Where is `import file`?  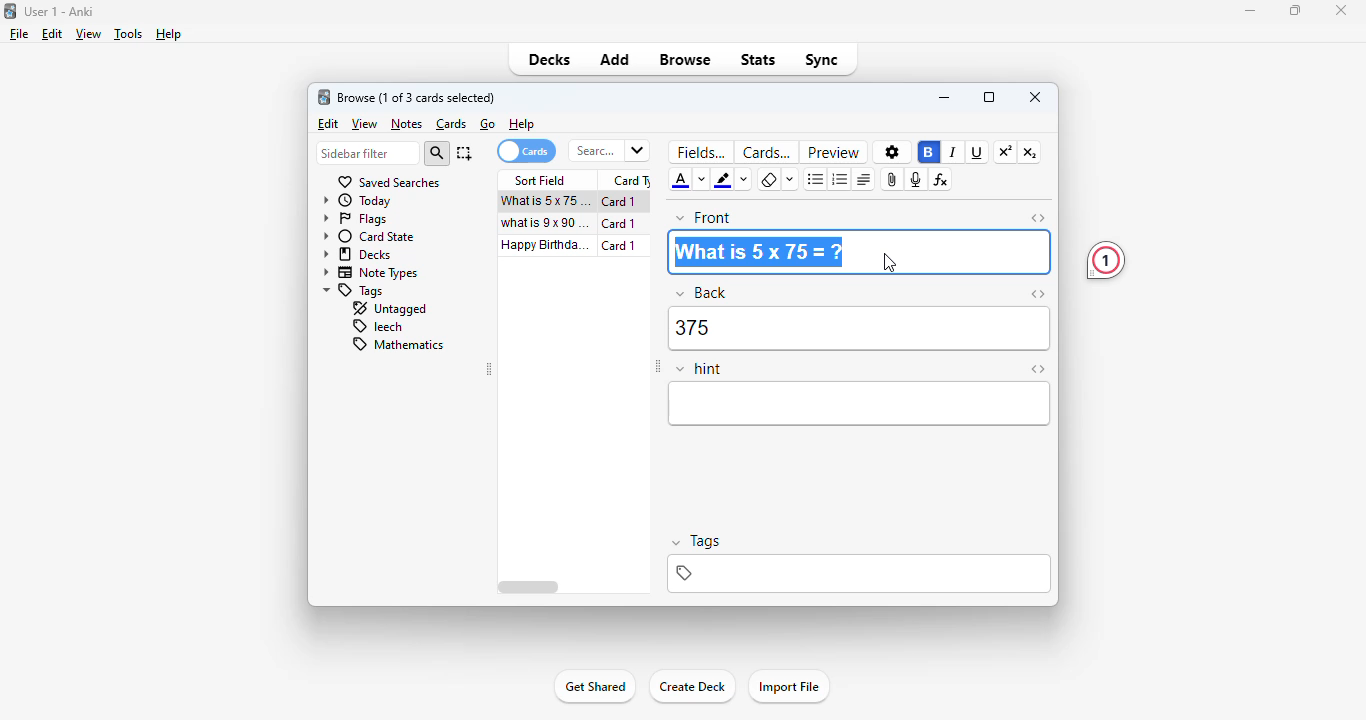
import file is located at coordinates (789, 686).